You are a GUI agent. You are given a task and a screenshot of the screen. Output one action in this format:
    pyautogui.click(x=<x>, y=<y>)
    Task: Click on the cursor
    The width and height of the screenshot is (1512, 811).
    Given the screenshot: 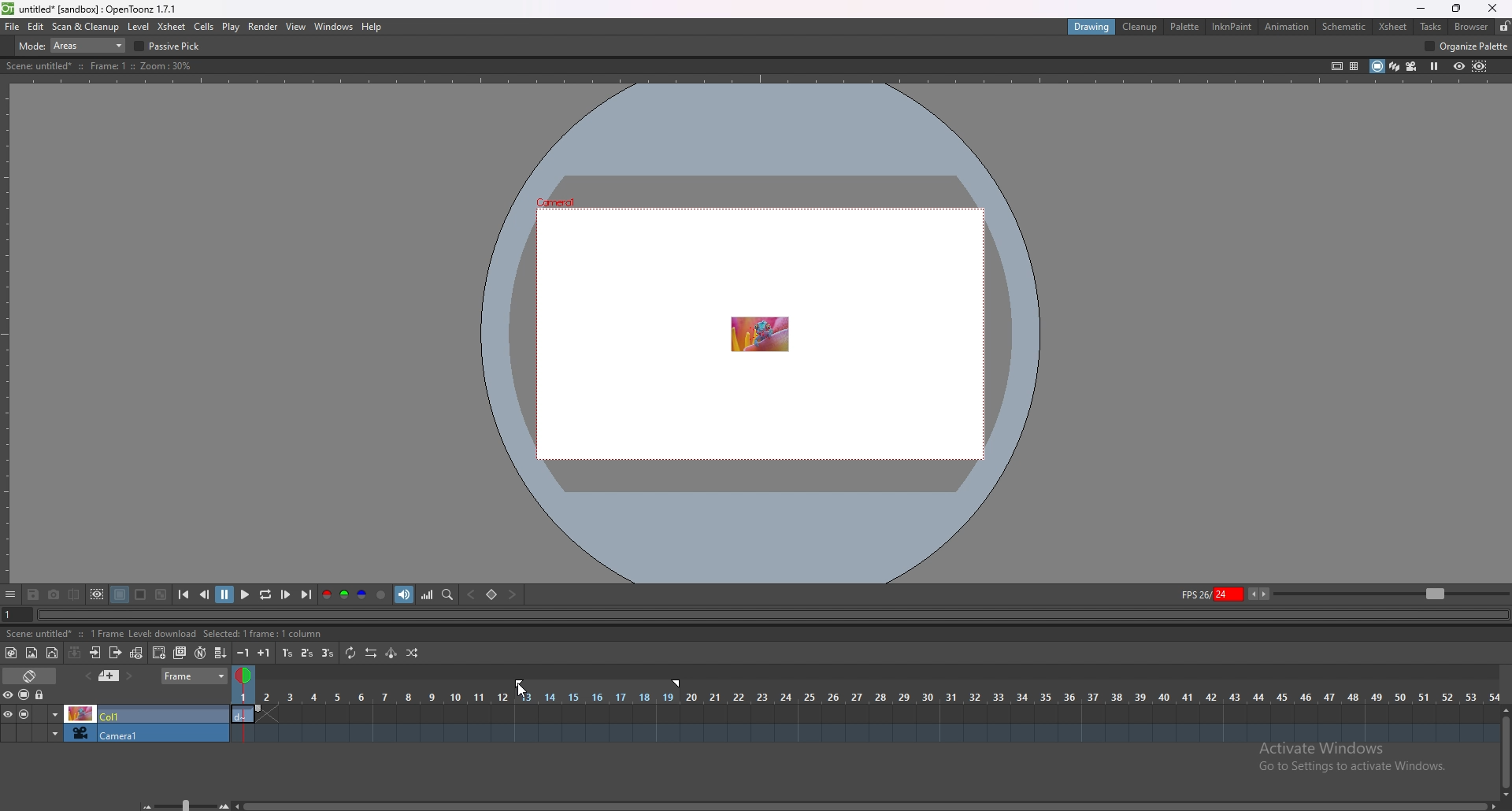 What is the action you would take?
    pyautogui.click(x=517, y=692)
    